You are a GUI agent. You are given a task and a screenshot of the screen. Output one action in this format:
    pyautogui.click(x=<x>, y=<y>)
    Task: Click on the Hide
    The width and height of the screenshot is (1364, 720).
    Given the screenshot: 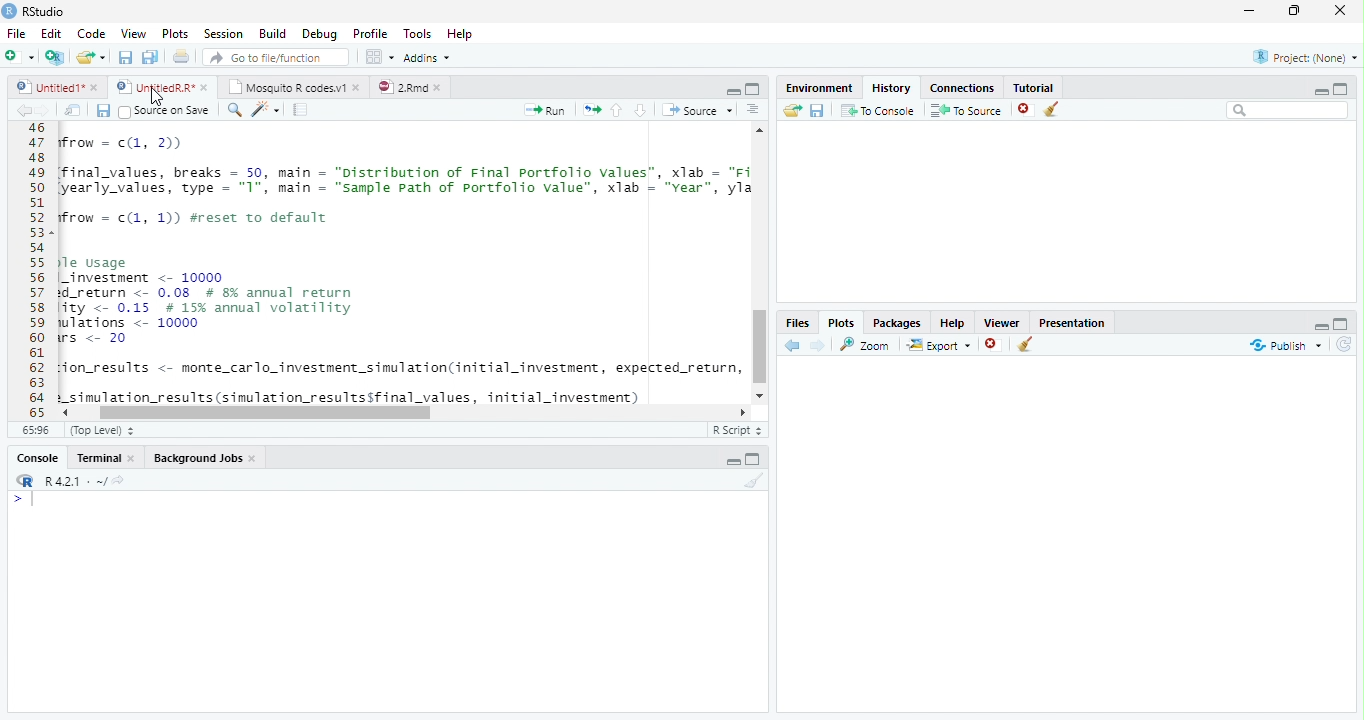 What is the action you would take?
    pyautogui.click(x=1321, y=90)
    